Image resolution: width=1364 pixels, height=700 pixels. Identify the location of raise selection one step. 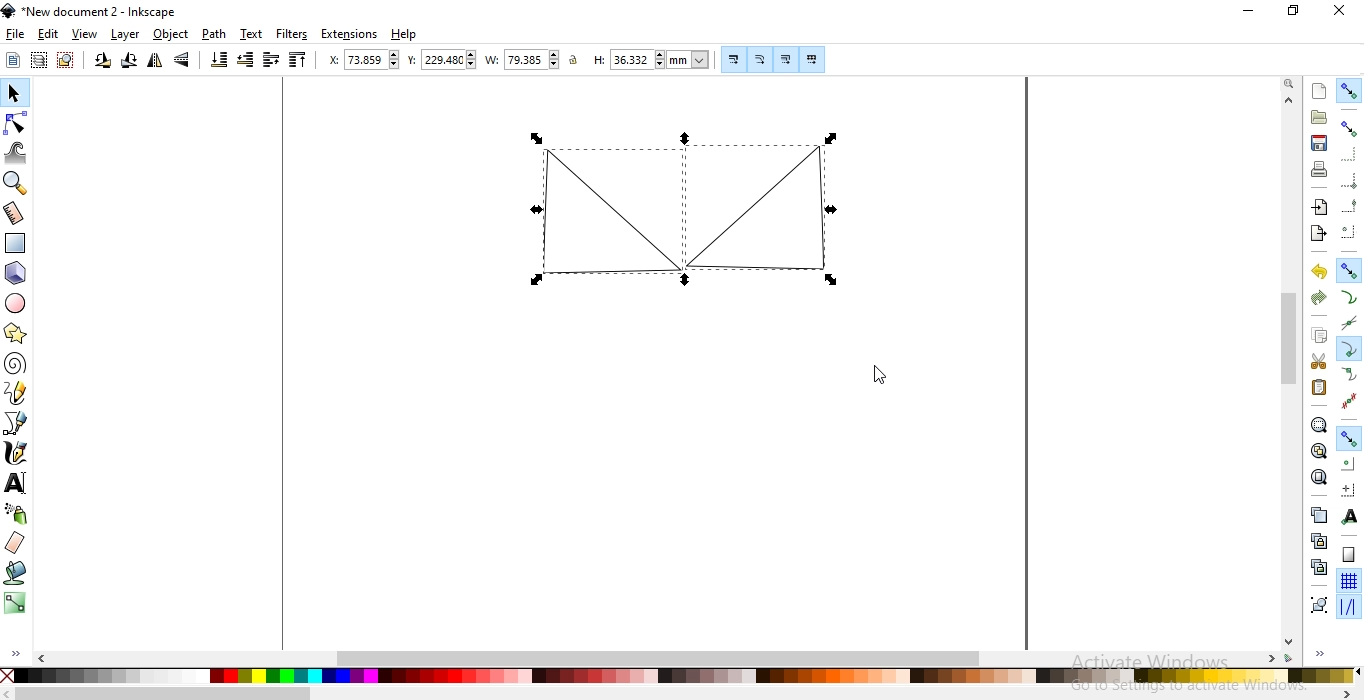
(271, 60).